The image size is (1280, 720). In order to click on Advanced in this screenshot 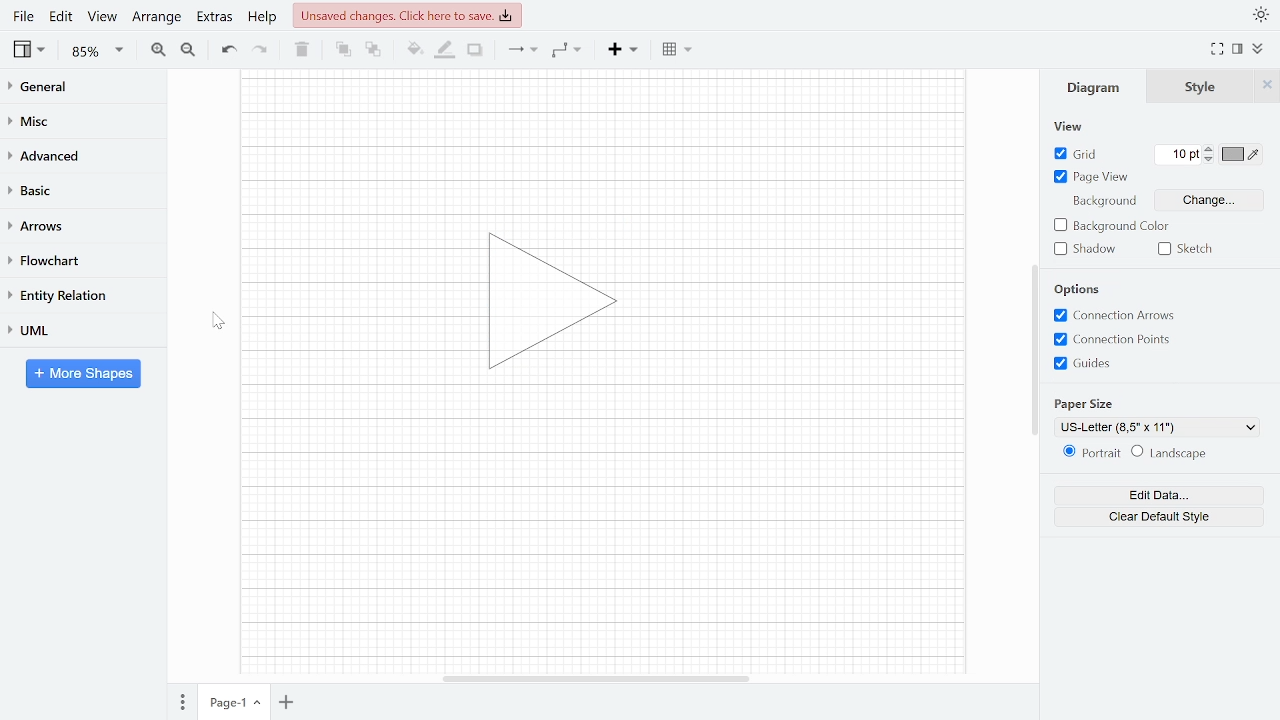, I will do `click(77, 154)`.